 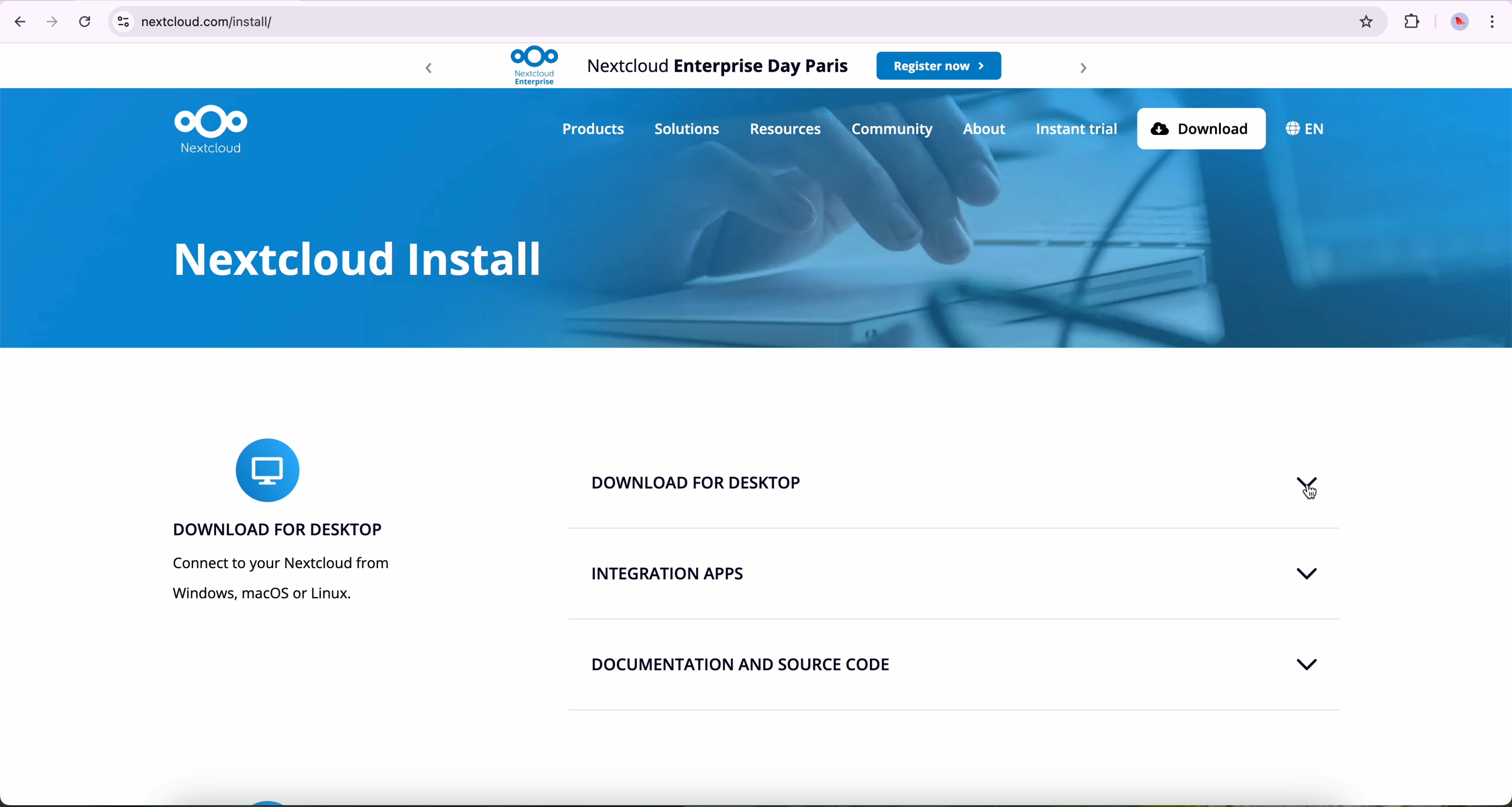 What do you see at coordinates (277, 528) in the screenshot?
I see `download for desktop` at bounding box center [277, 528].